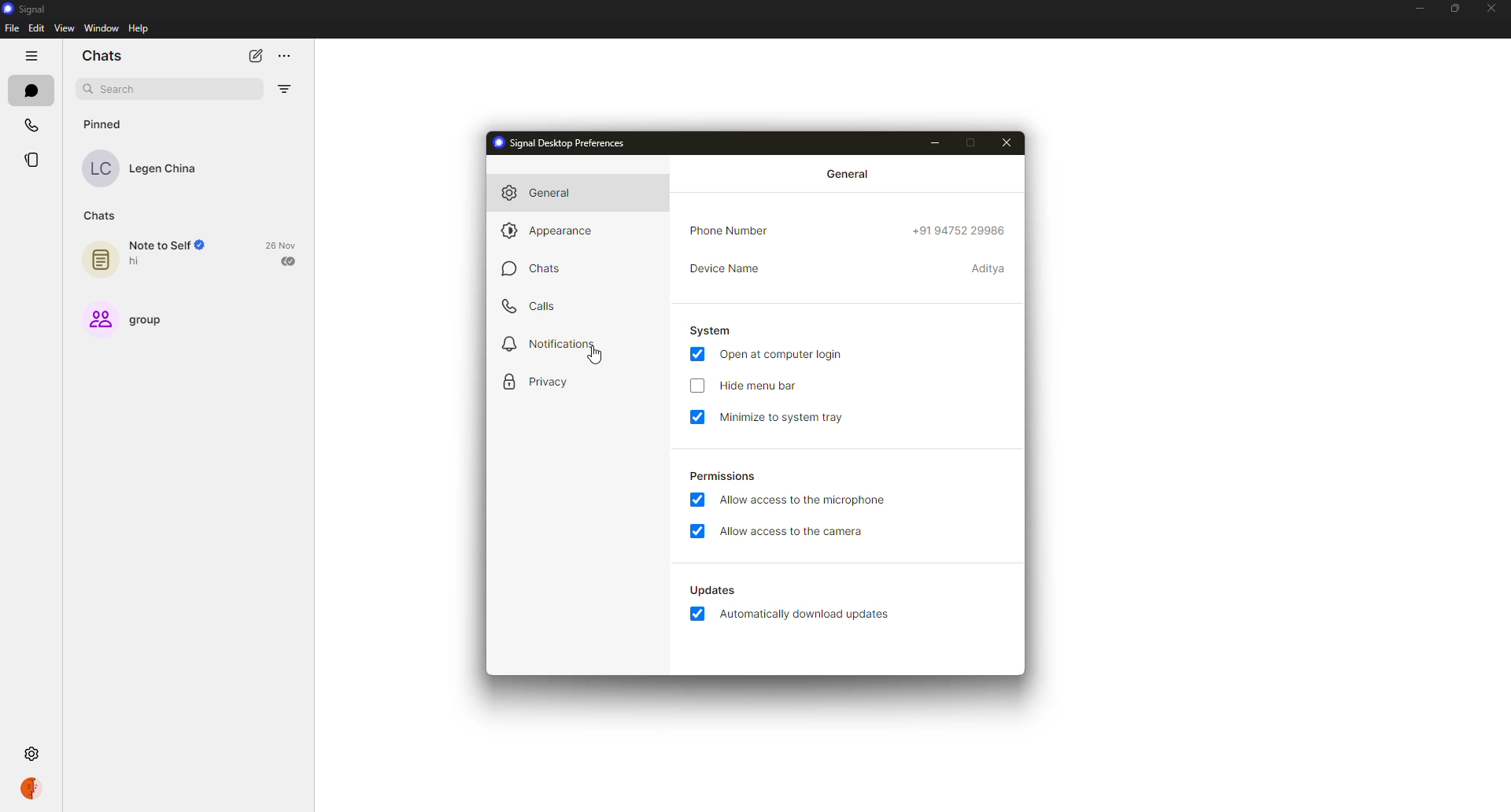 This screenshot has height=812, width=1511. I want to click on chats, so click(31, 89).